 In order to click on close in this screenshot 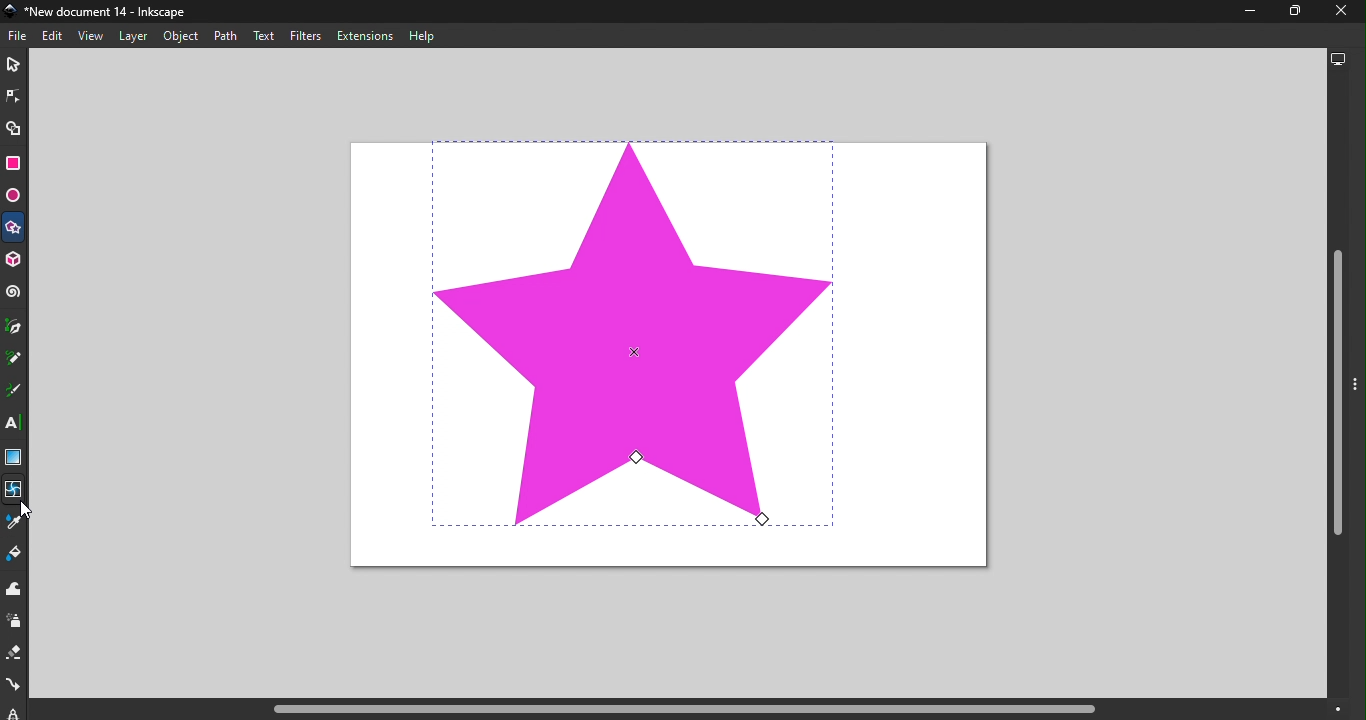, I will do `click(1336, 12)`.